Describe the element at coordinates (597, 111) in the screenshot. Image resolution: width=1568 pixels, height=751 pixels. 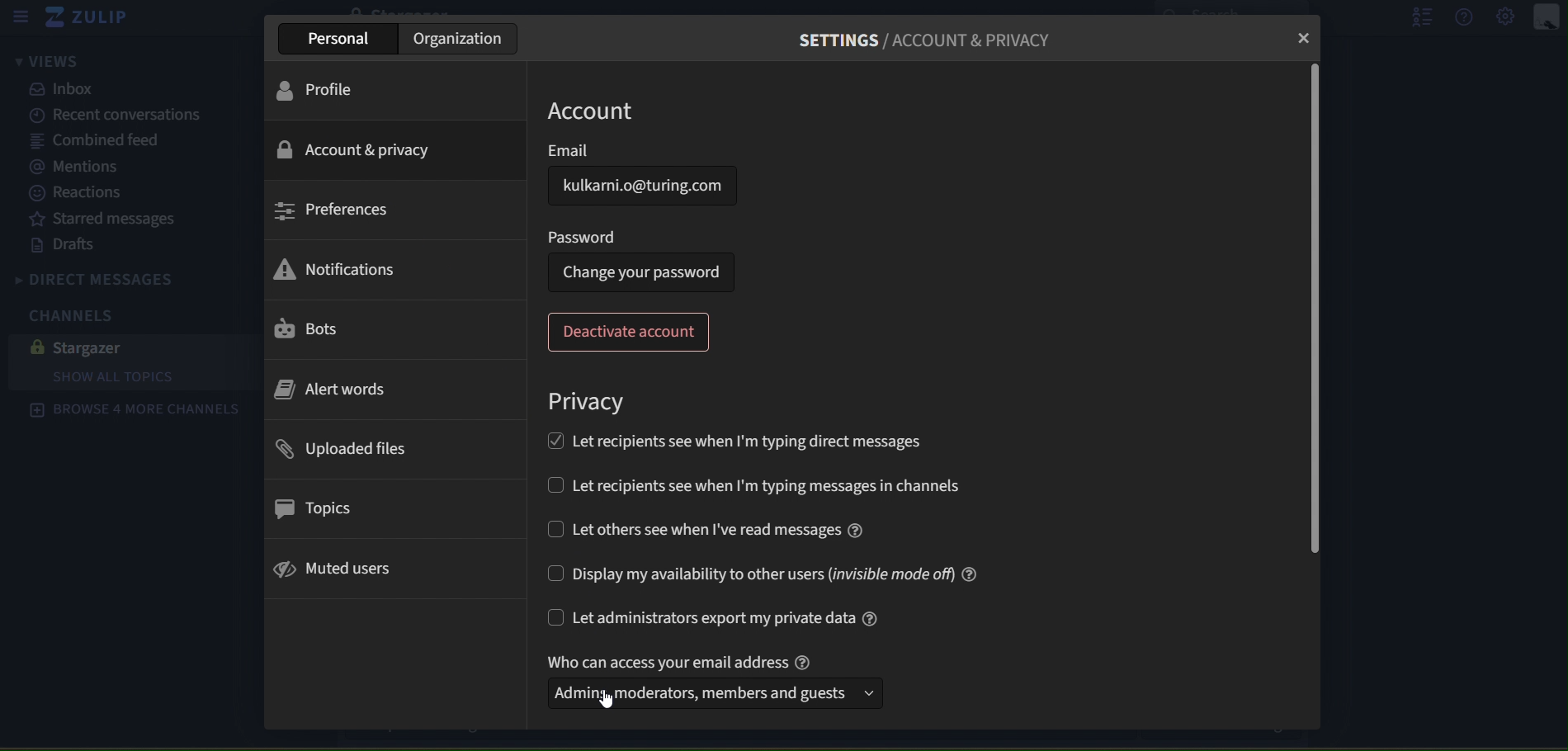
I see `account` at that location.